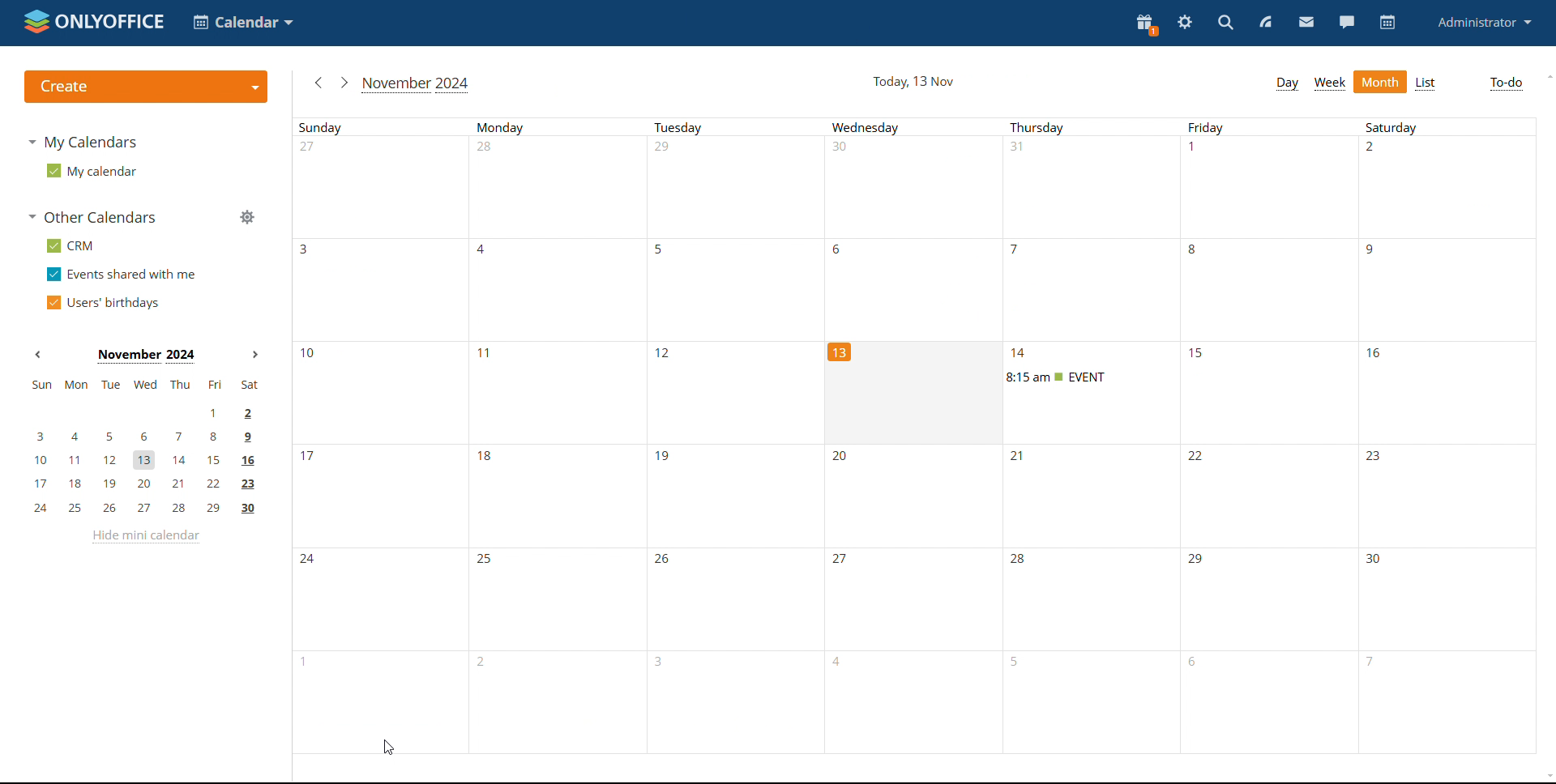 The height and width of the screenshot is (784, 1556). I want to click on chat, so click(1346, 21).